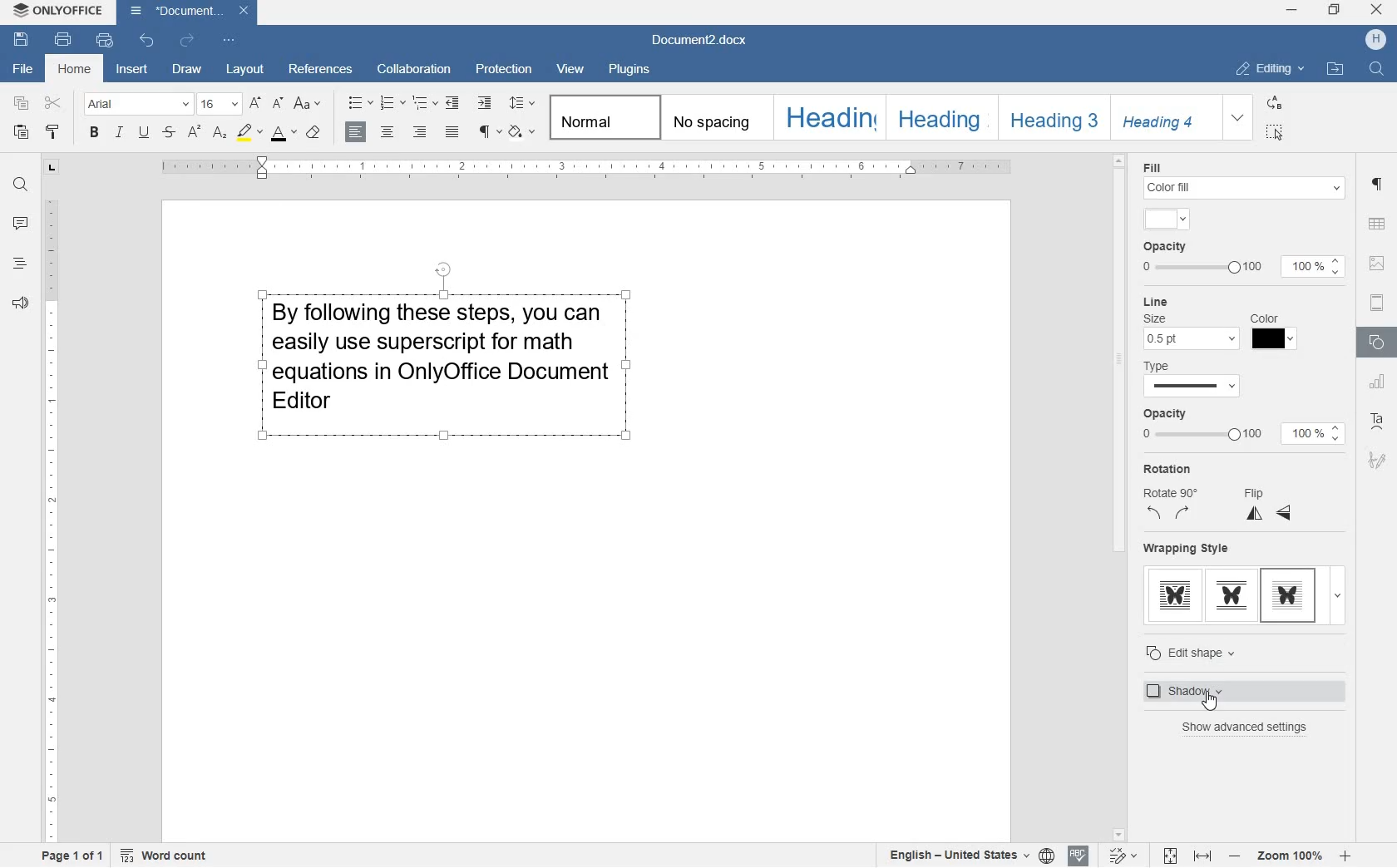  Describe the element at coordinates (1187, 549) in the screenshot. I see `wrapping style` at that location.